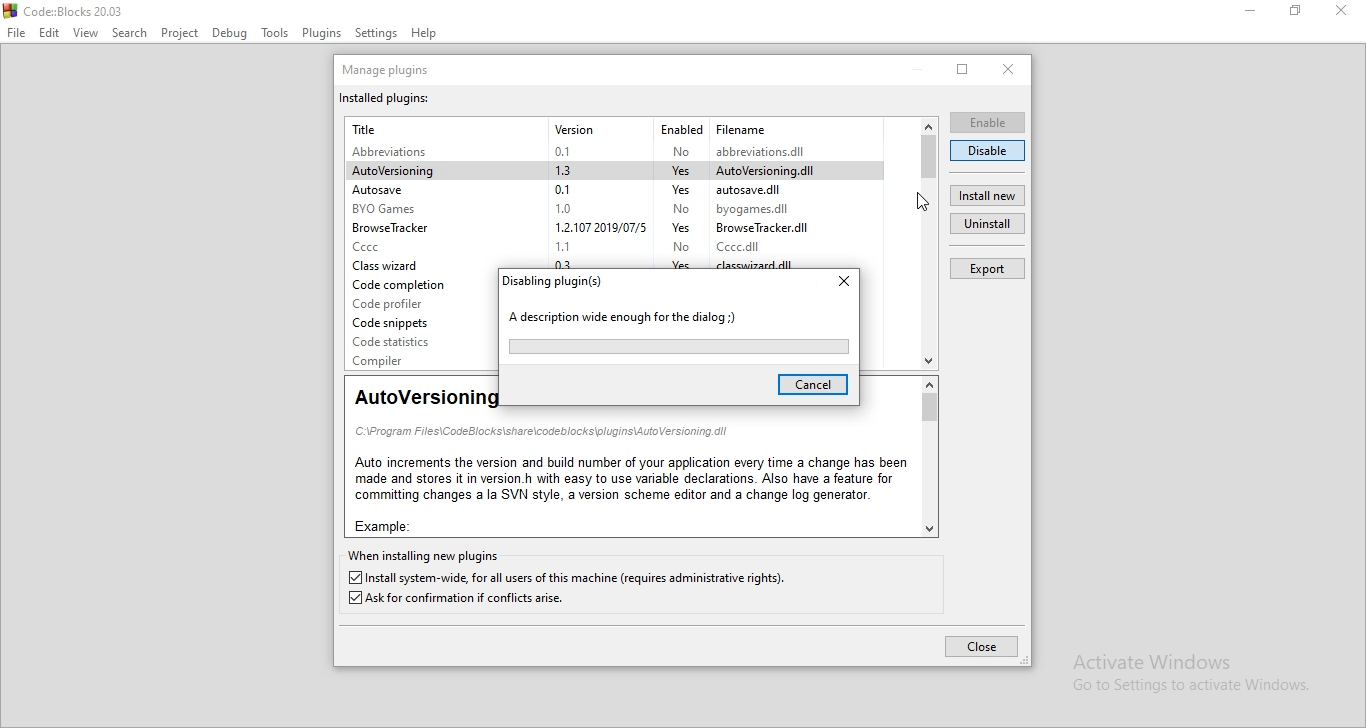 This screenshot has width=1366, height=728. Describe the element at coordinates (987, 222) in the screenshot. I see `uninstall` at that location.